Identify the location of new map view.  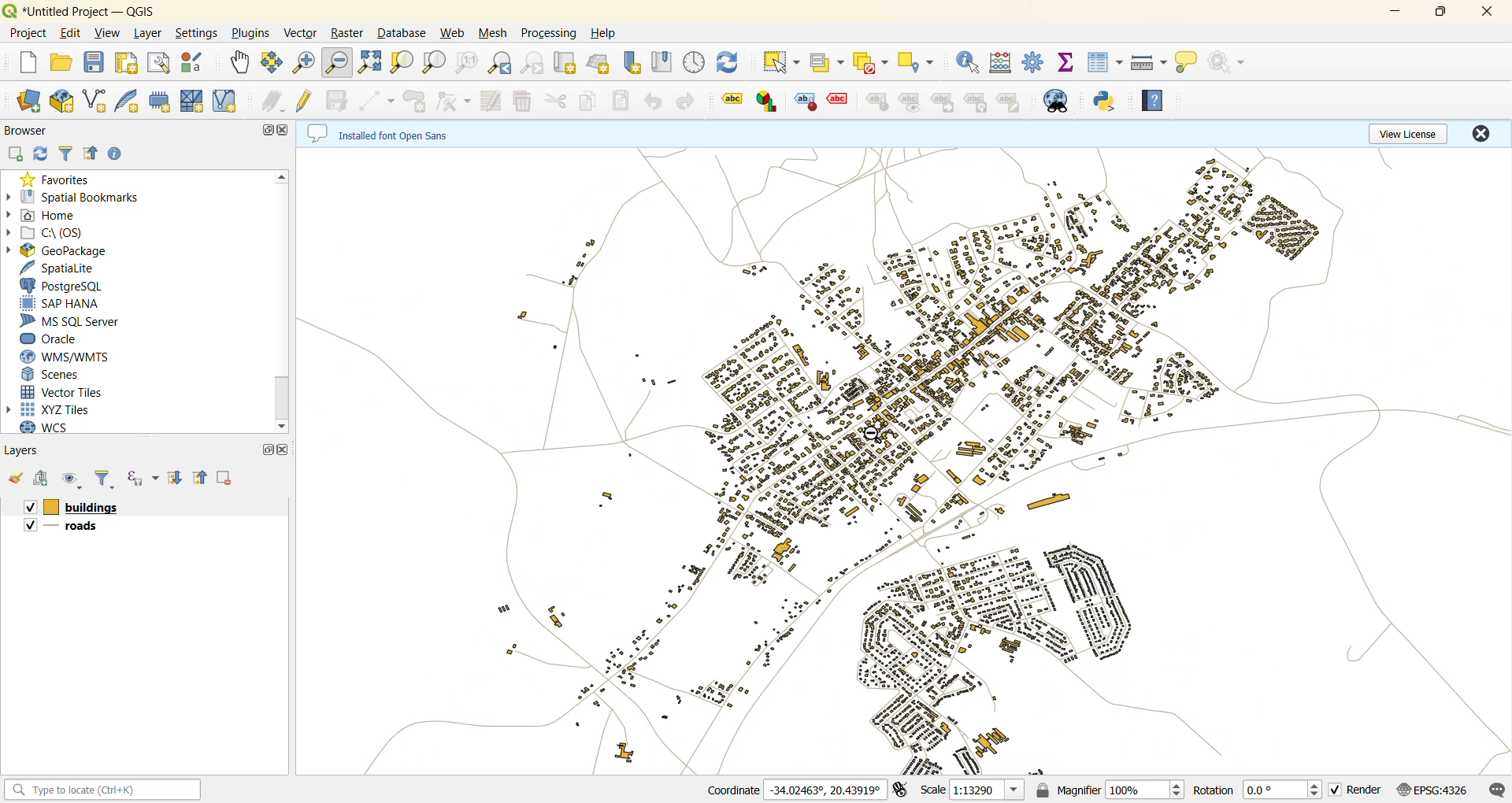
(565, 63).